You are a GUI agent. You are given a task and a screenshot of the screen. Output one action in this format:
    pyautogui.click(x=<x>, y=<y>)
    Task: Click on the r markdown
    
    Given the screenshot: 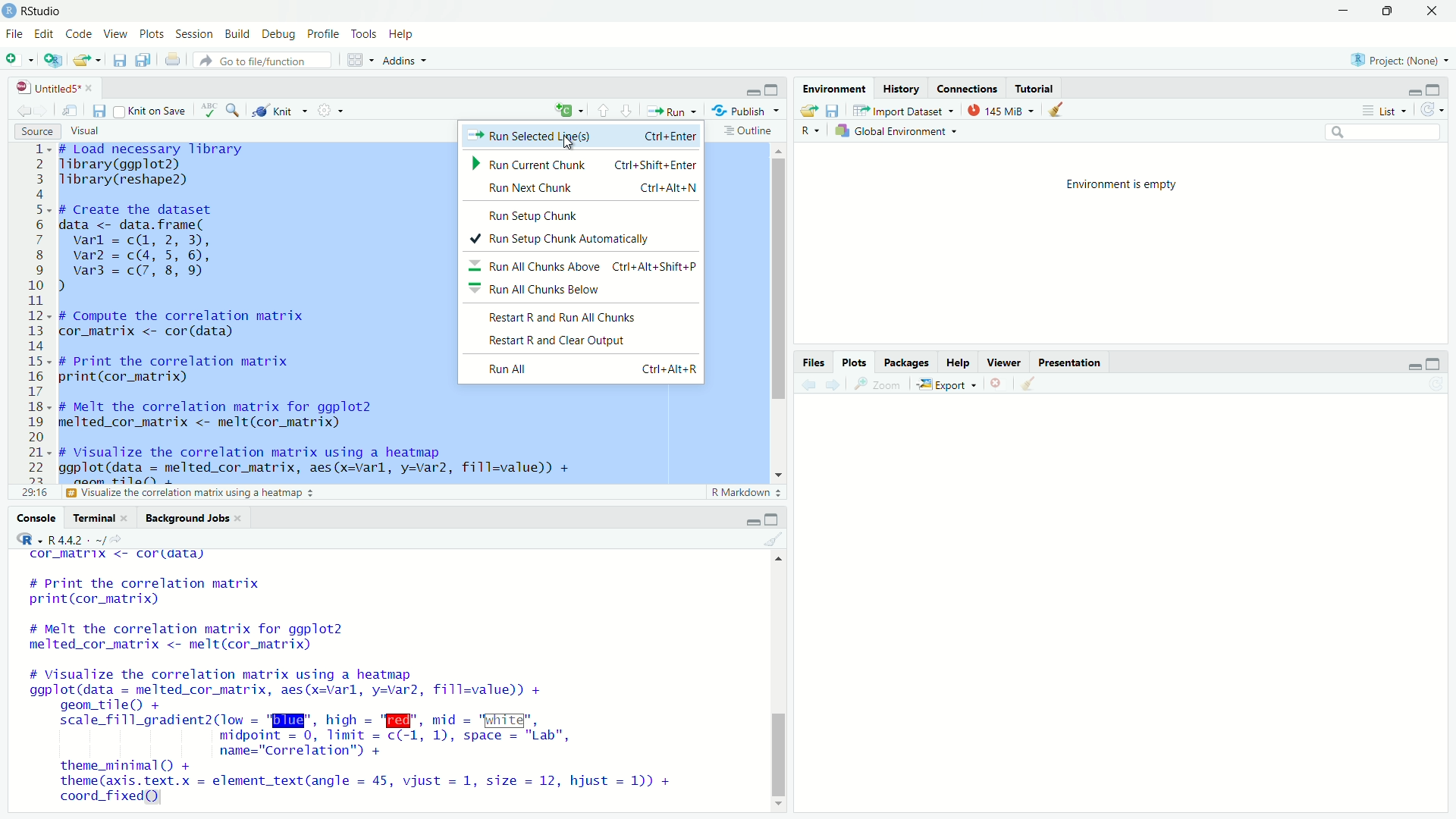 What is the action you would take?
    pyautogui.click(x=748, y=493)
    